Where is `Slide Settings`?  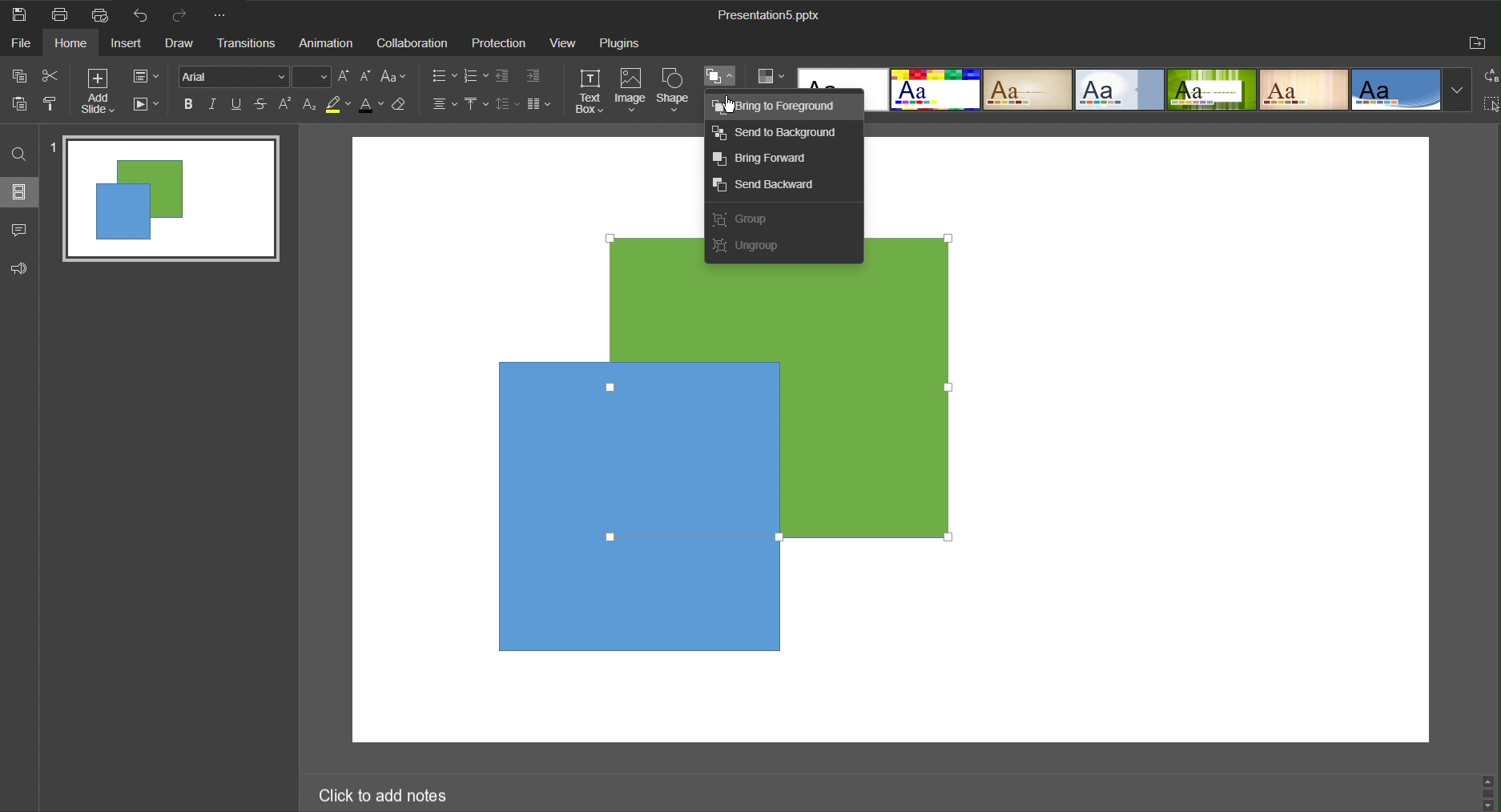
Slide Settings is located at coordinates (145, 78).